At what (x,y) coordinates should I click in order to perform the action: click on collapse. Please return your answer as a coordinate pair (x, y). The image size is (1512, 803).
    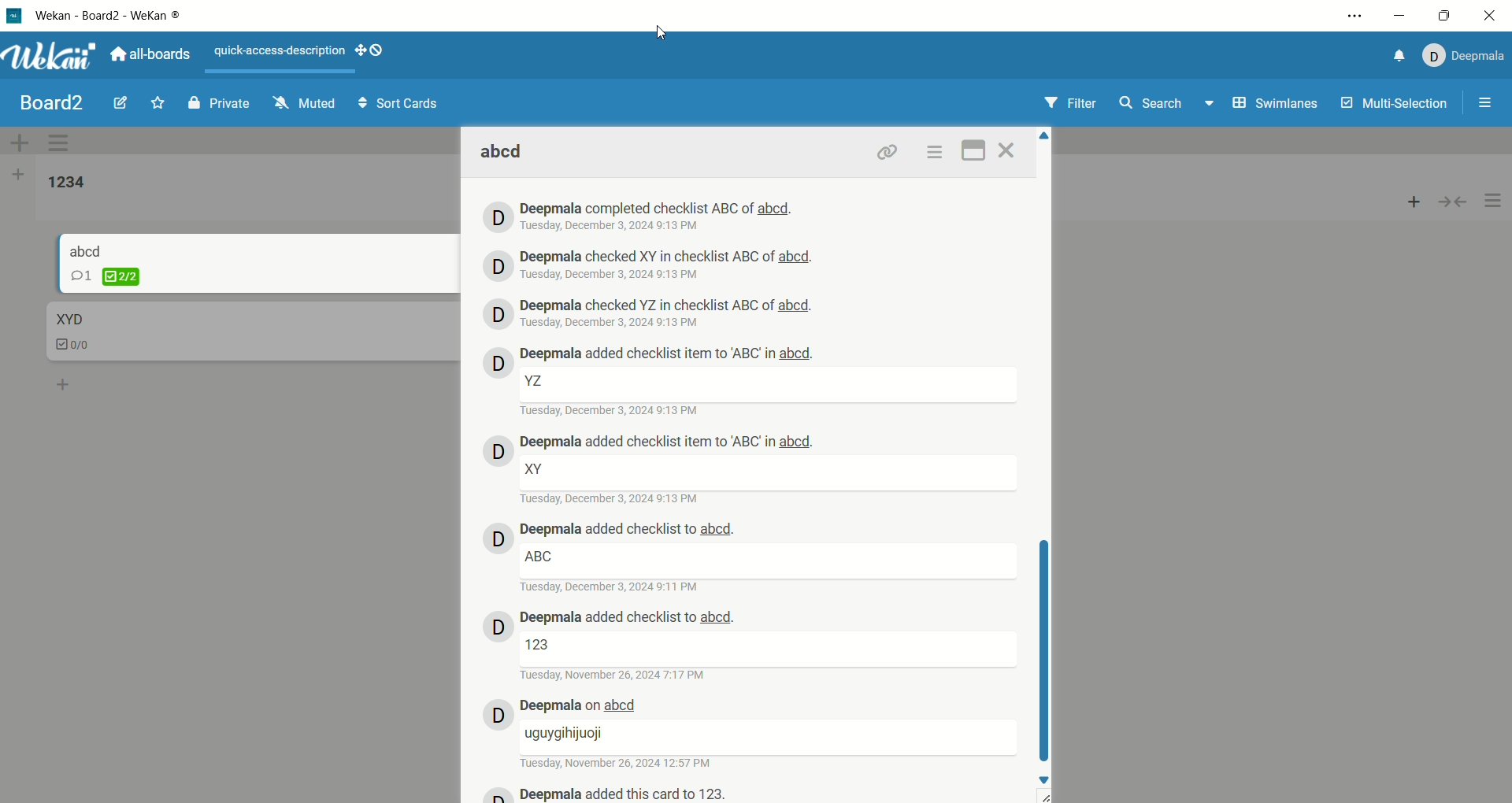
    Looking at the image, I should click on (1459, 200).